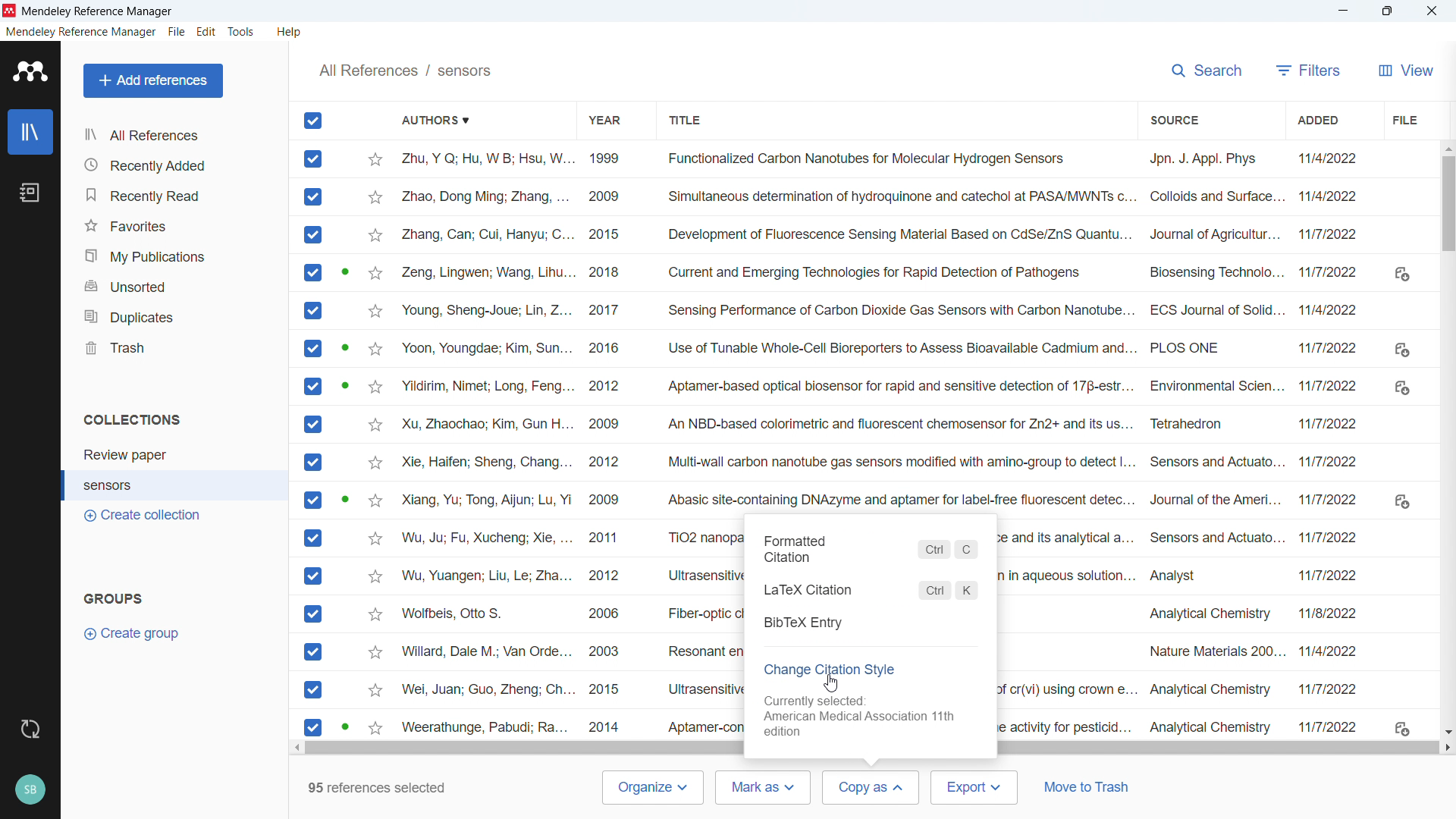 The image size is (1456, 819). What do you see at coordinates (830, 685) in the screenshot?
I see `Cursor` at bounding box center [830, 685].